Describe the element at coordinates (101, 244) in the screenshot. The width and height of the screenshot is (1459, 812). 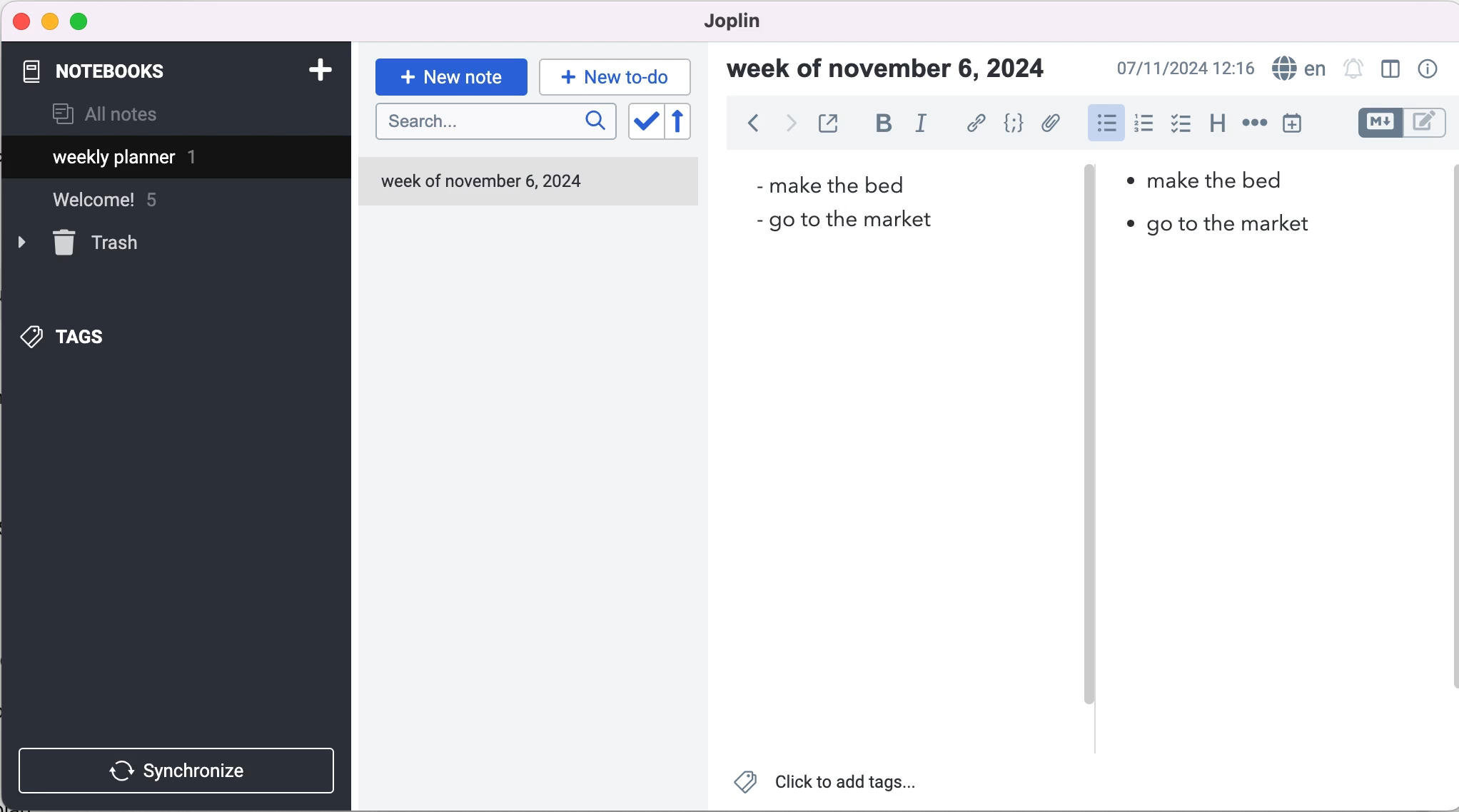
I see `trash` at that location.